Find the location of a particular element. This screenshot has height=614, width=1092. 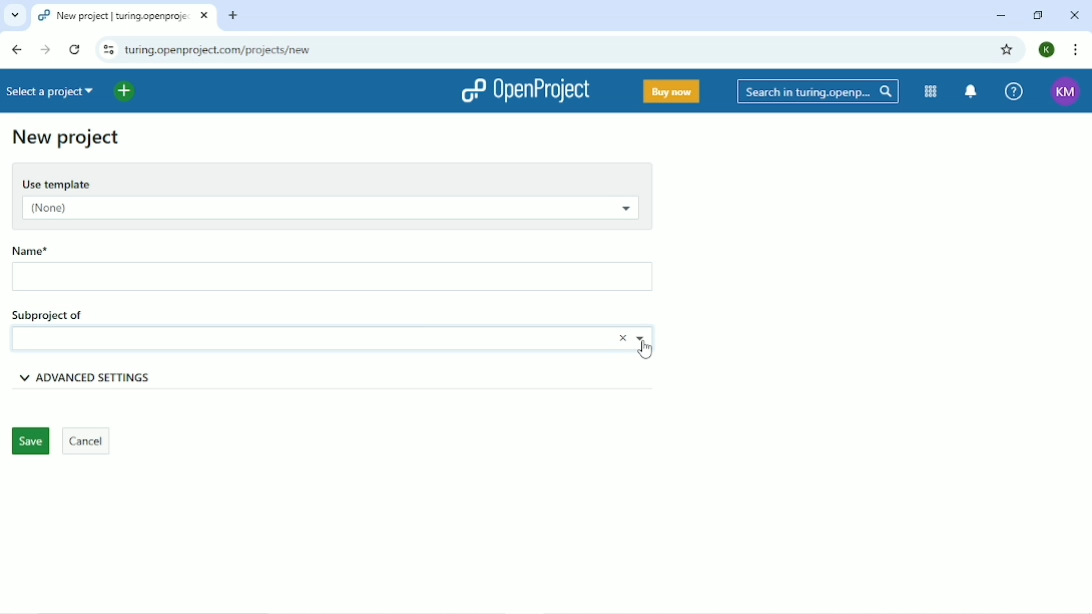

close is located at coordinates (206, 14).